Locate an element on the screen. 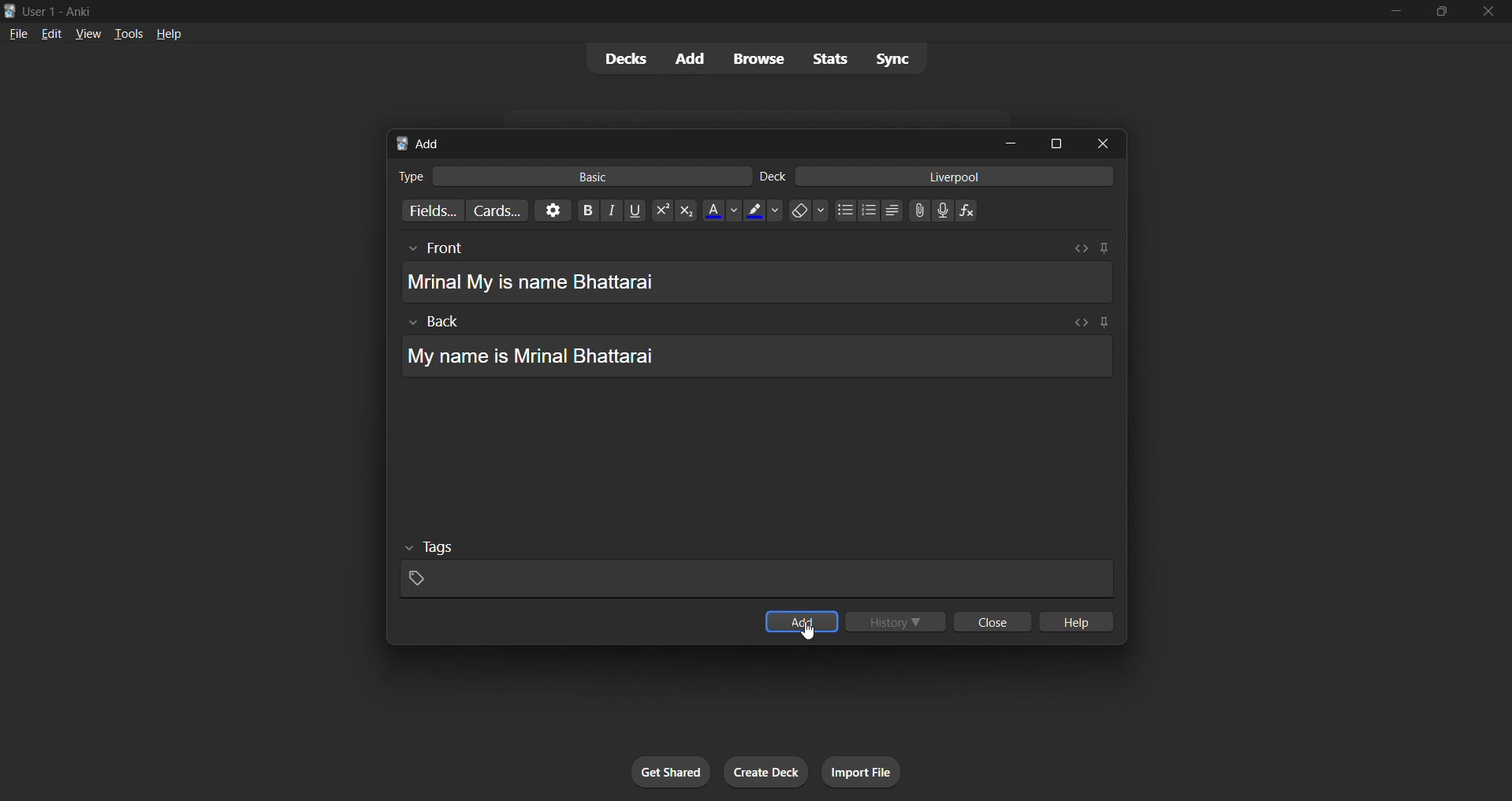  history is located at coordinates (892, 618).